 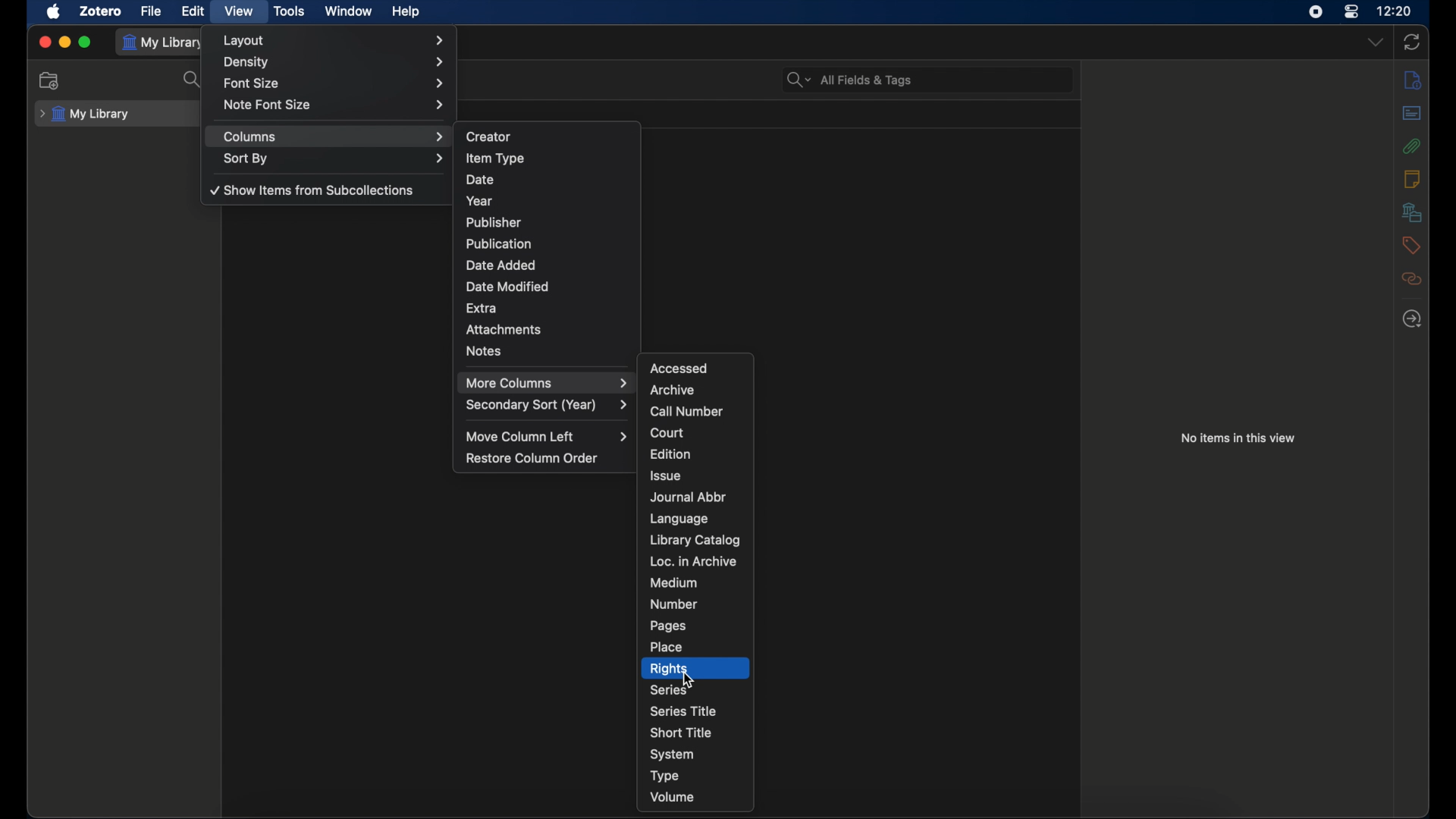 What do you see at coordinates (492, 222) in the screenshot?
I see `publisher` at bounding box center [492, 222].